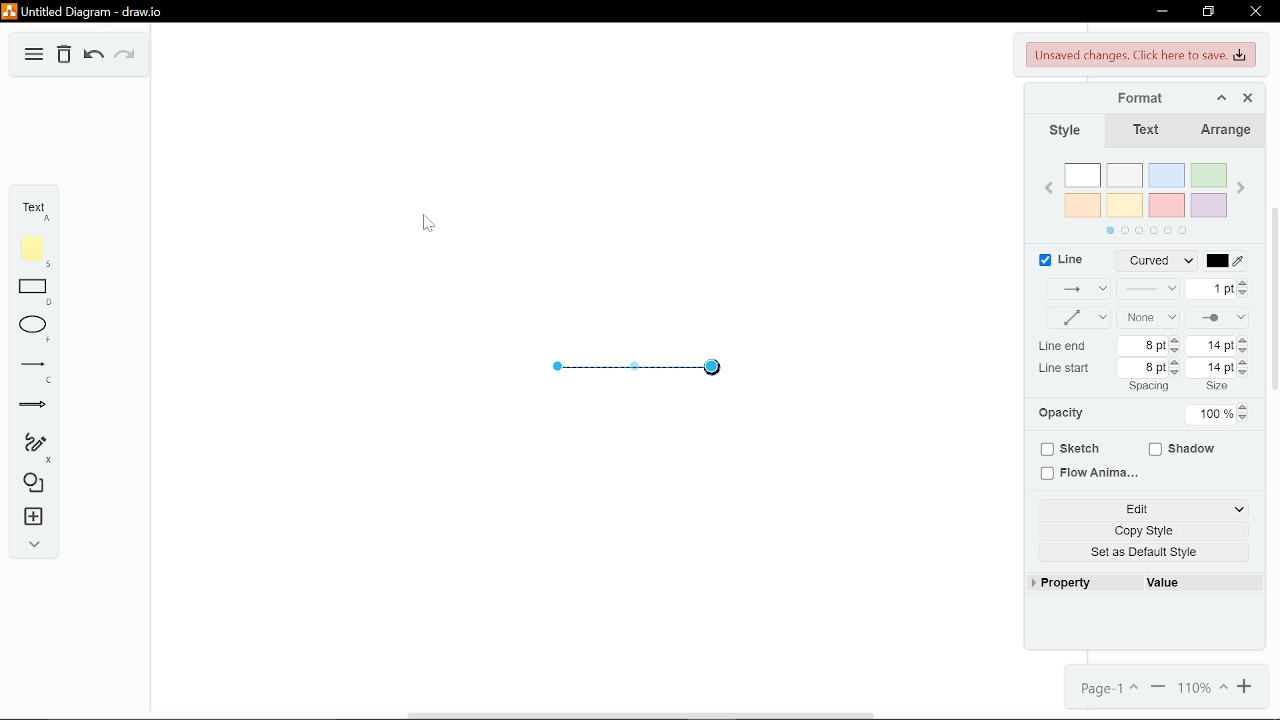  I want to click on Decrease linewidth, so click(1246, 294).